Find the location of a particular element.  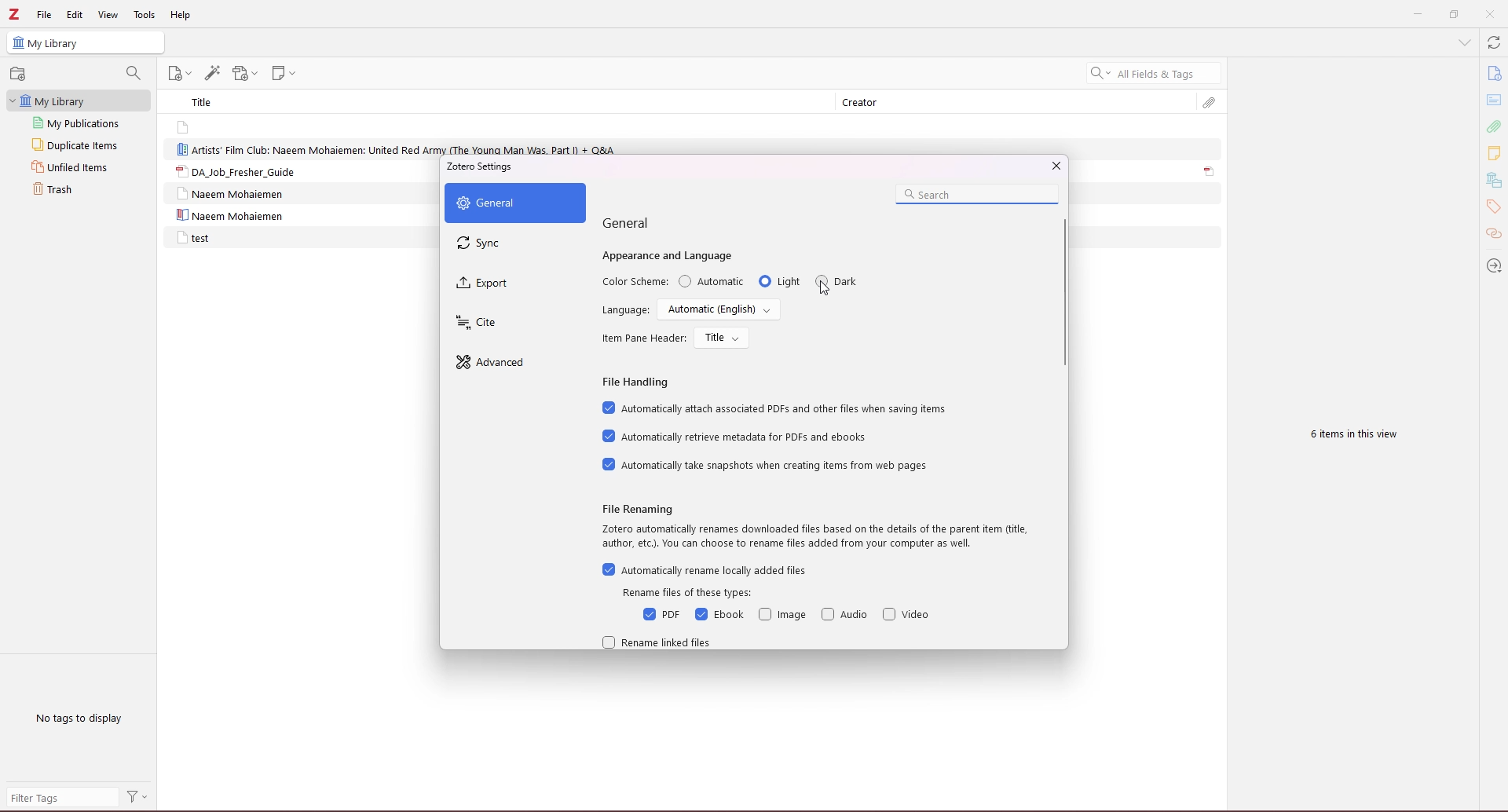

Naeem Mohaiemen is located at coordinates (229, 216).